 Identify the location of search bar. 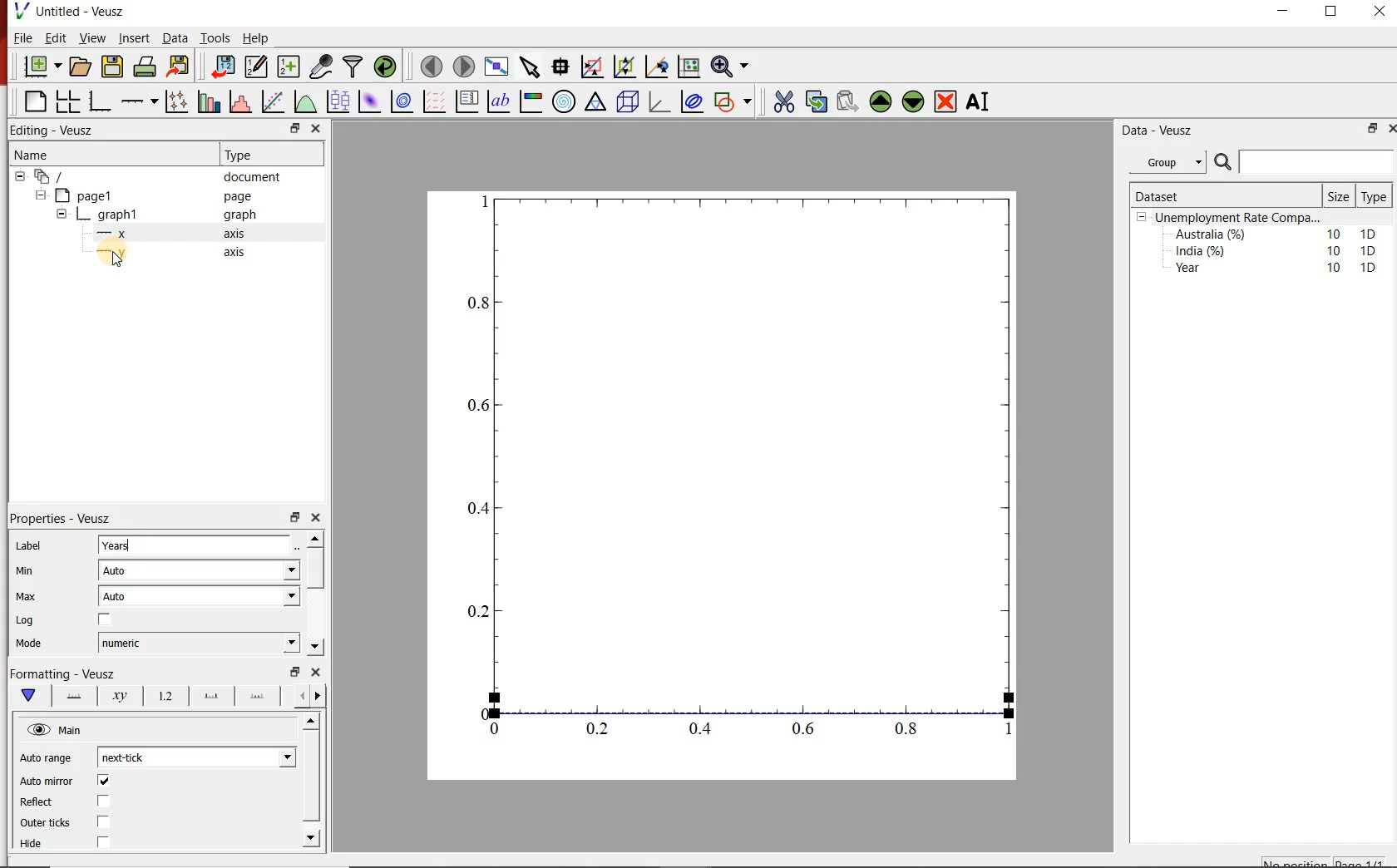
(1302, 162).